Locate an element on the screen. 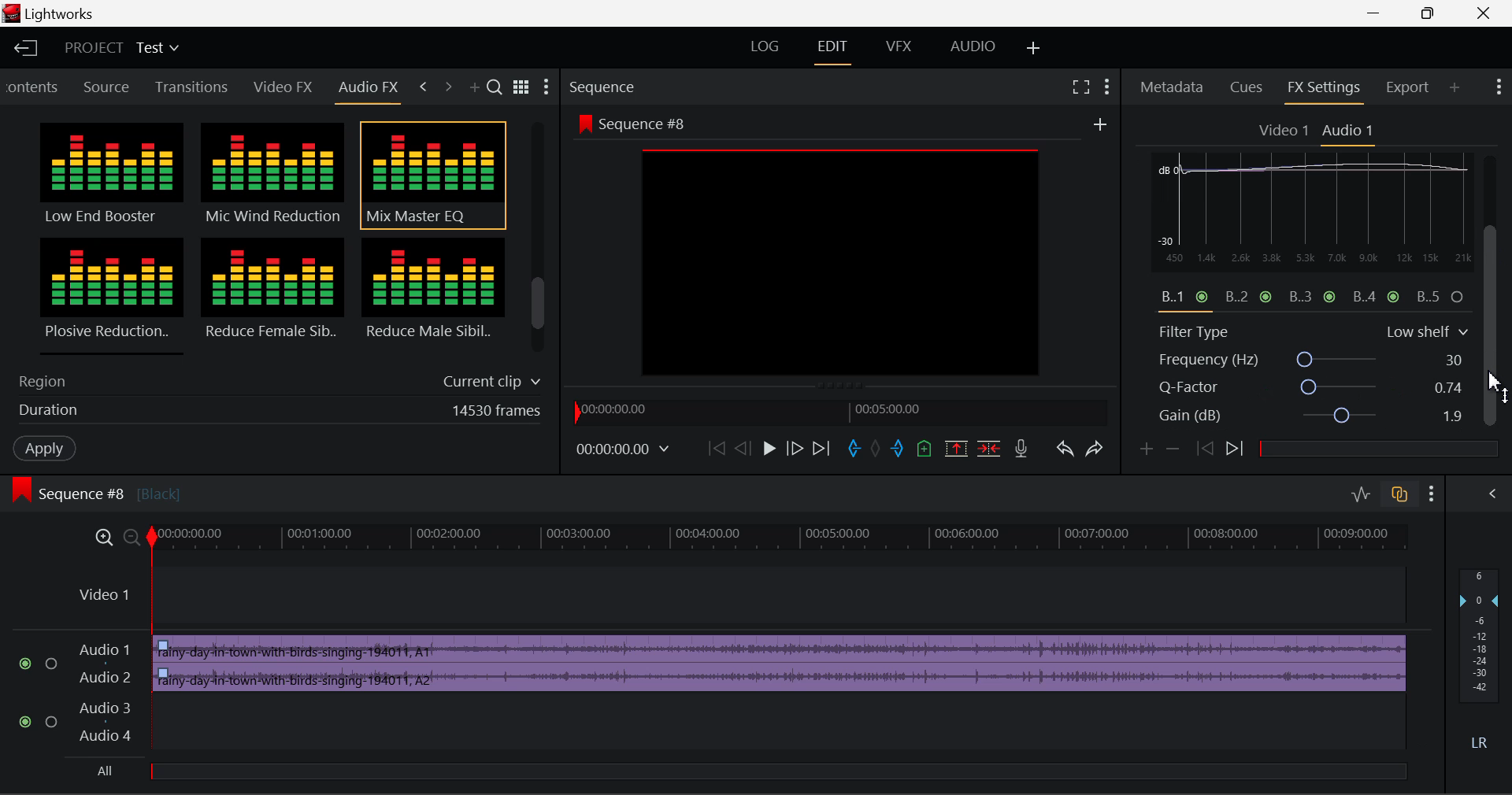 The width and height of the screenshot is (1512, 795). Toggle between title and list view is located at coordinates (524, 85).